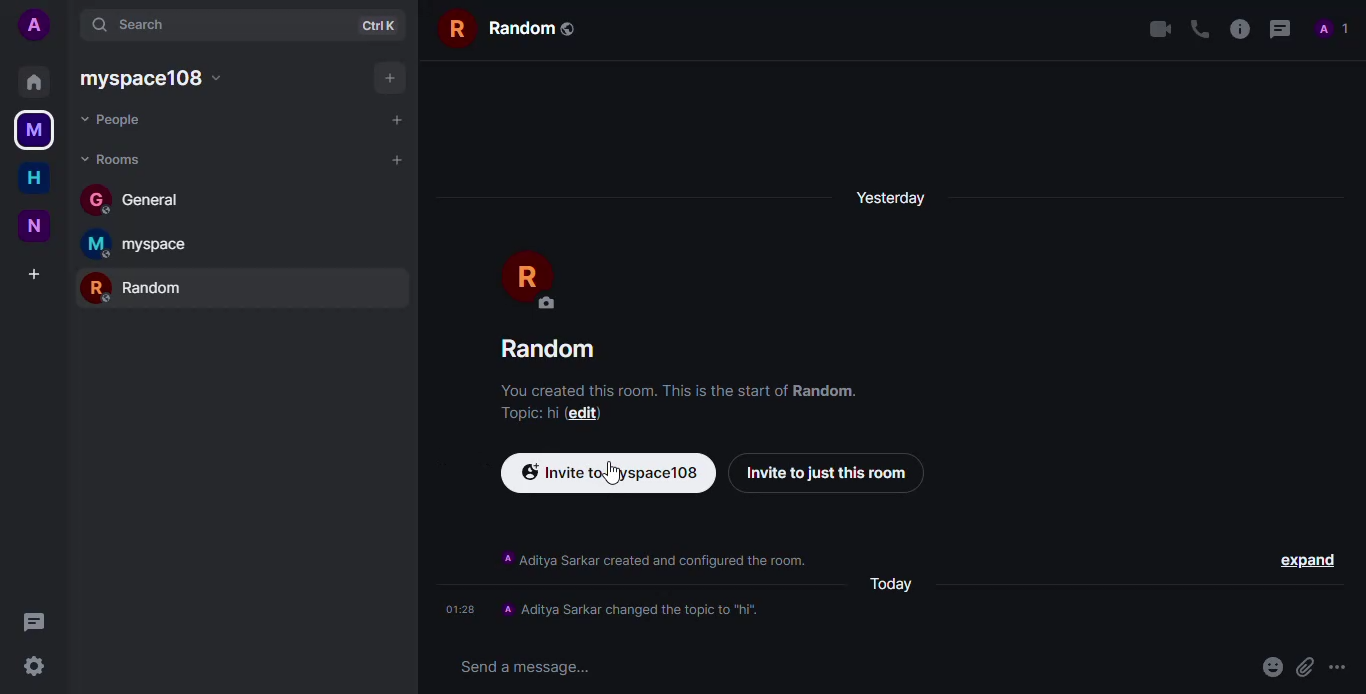 This screenshot has height=694, width=1366. I want to click on threads, so click(38, 622).